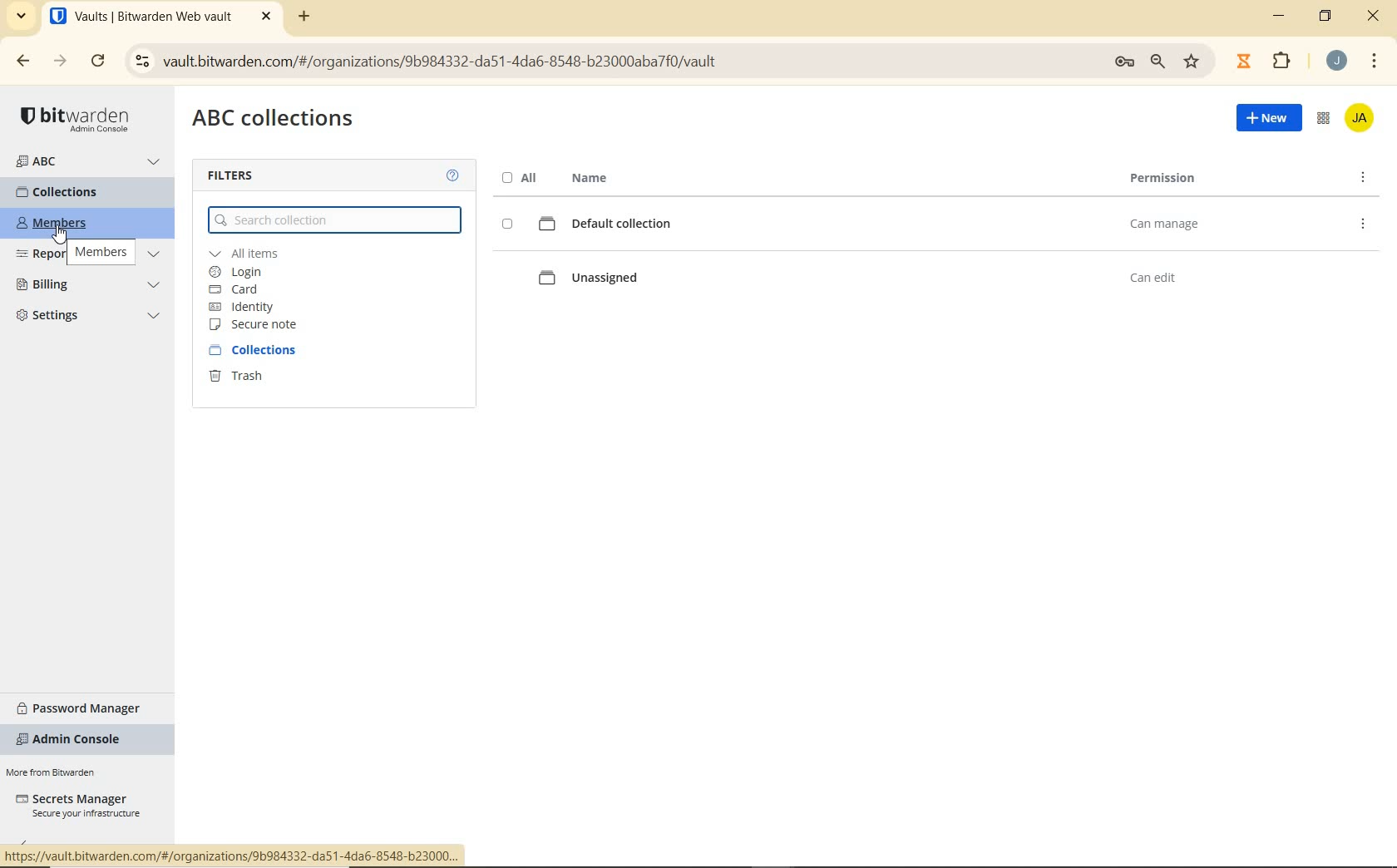 Image resolution: width=1397 pixels, height=868 pixels. What do you see at coordinates (335, 220) in the screenshot?
I see `SEARCH COLLECTION` at bounding box center [335, 220].